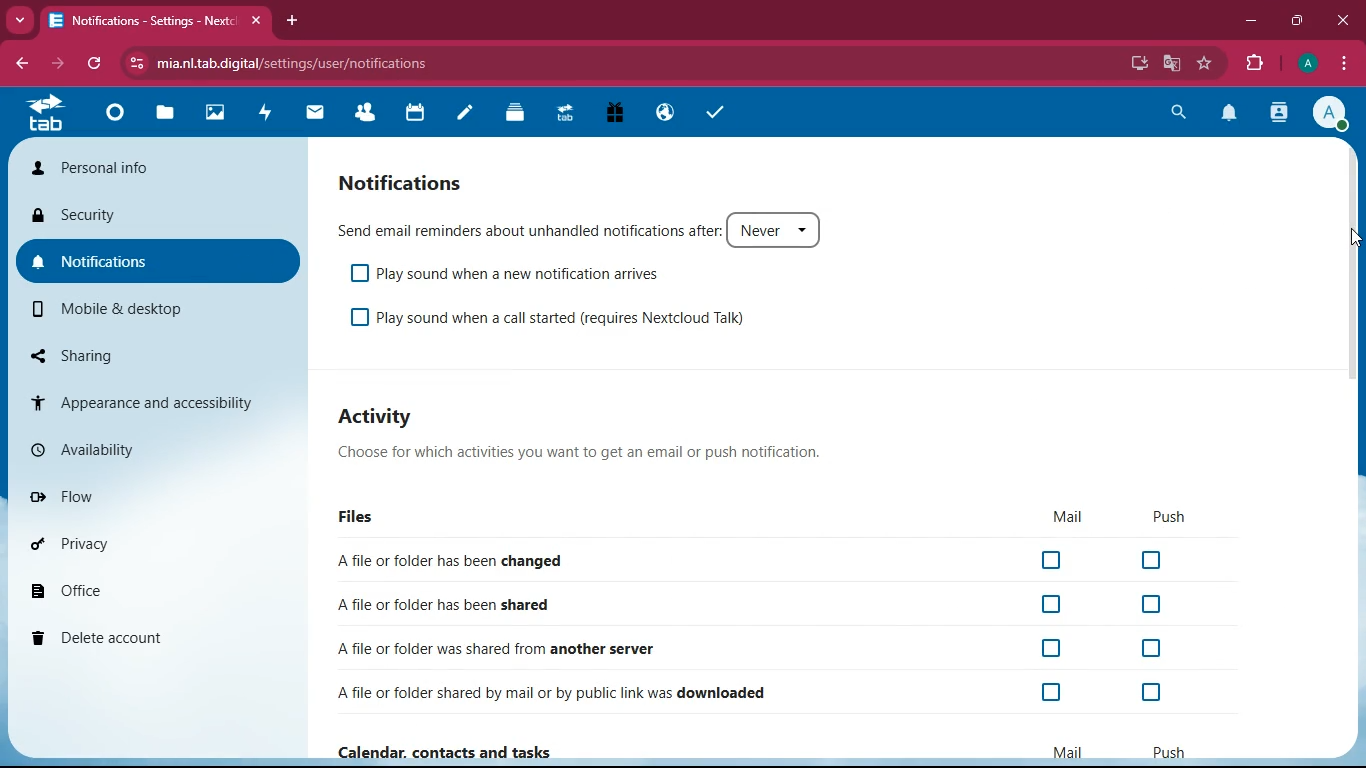  I want to click on play sound when a call started (requires Nextcloud Talk), so click(557, 319).